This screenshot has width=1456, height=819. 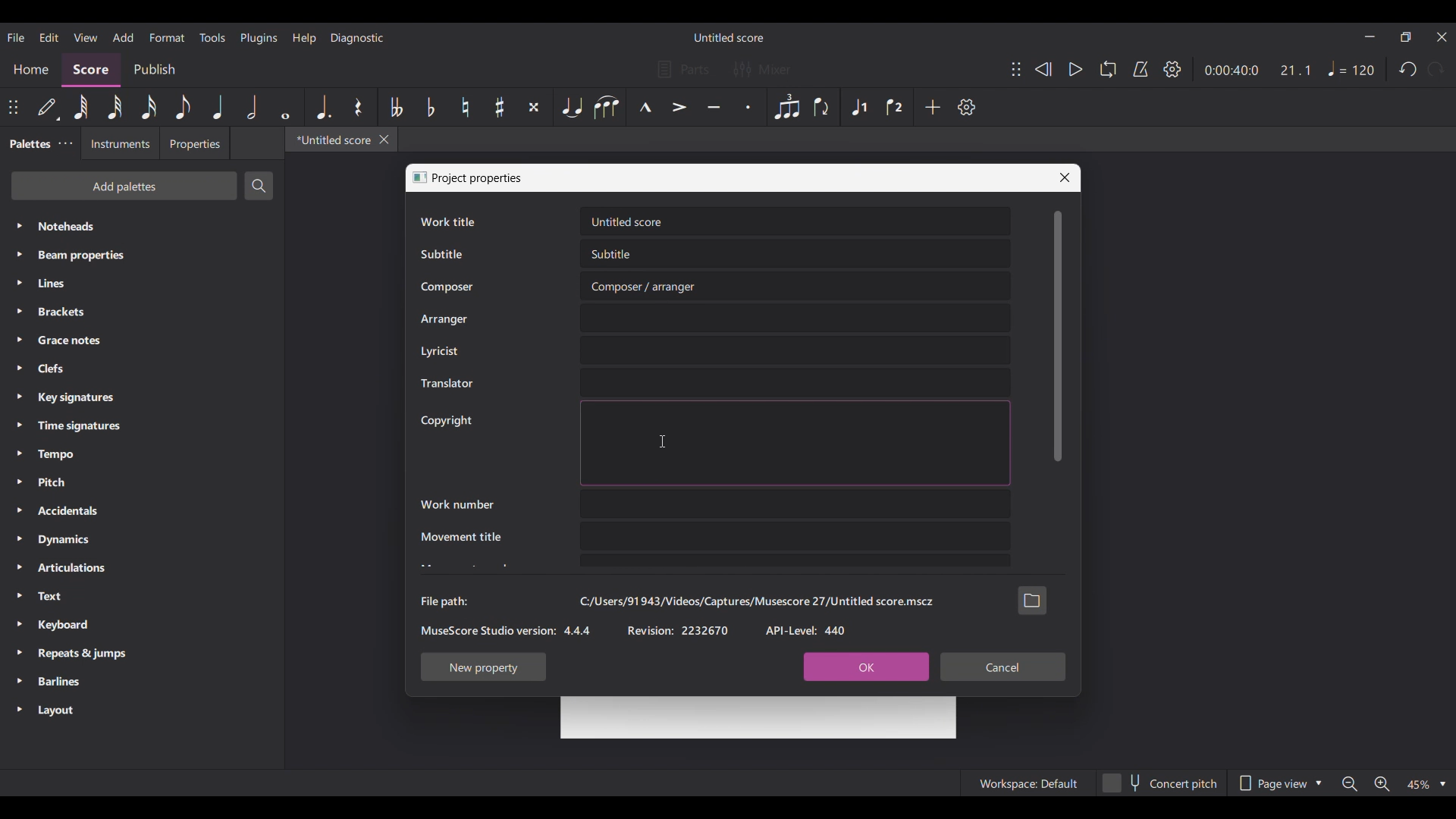 What do you see at coordinates (762, 69) in the screenshot?
I see `Mixer settings` at bounding box center [762, 69].